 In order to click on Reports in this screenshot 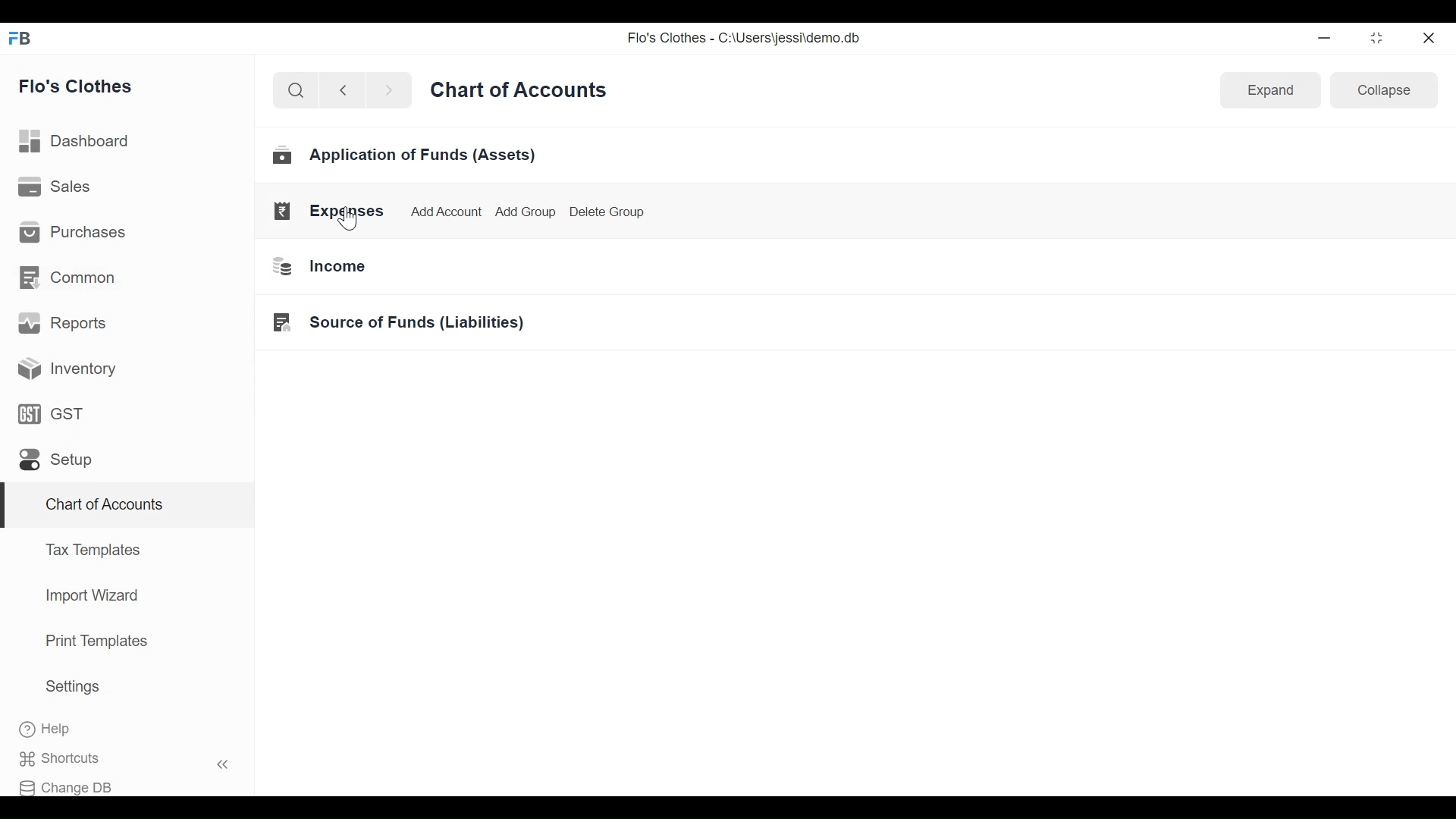, I will do `click(65, 326)`.